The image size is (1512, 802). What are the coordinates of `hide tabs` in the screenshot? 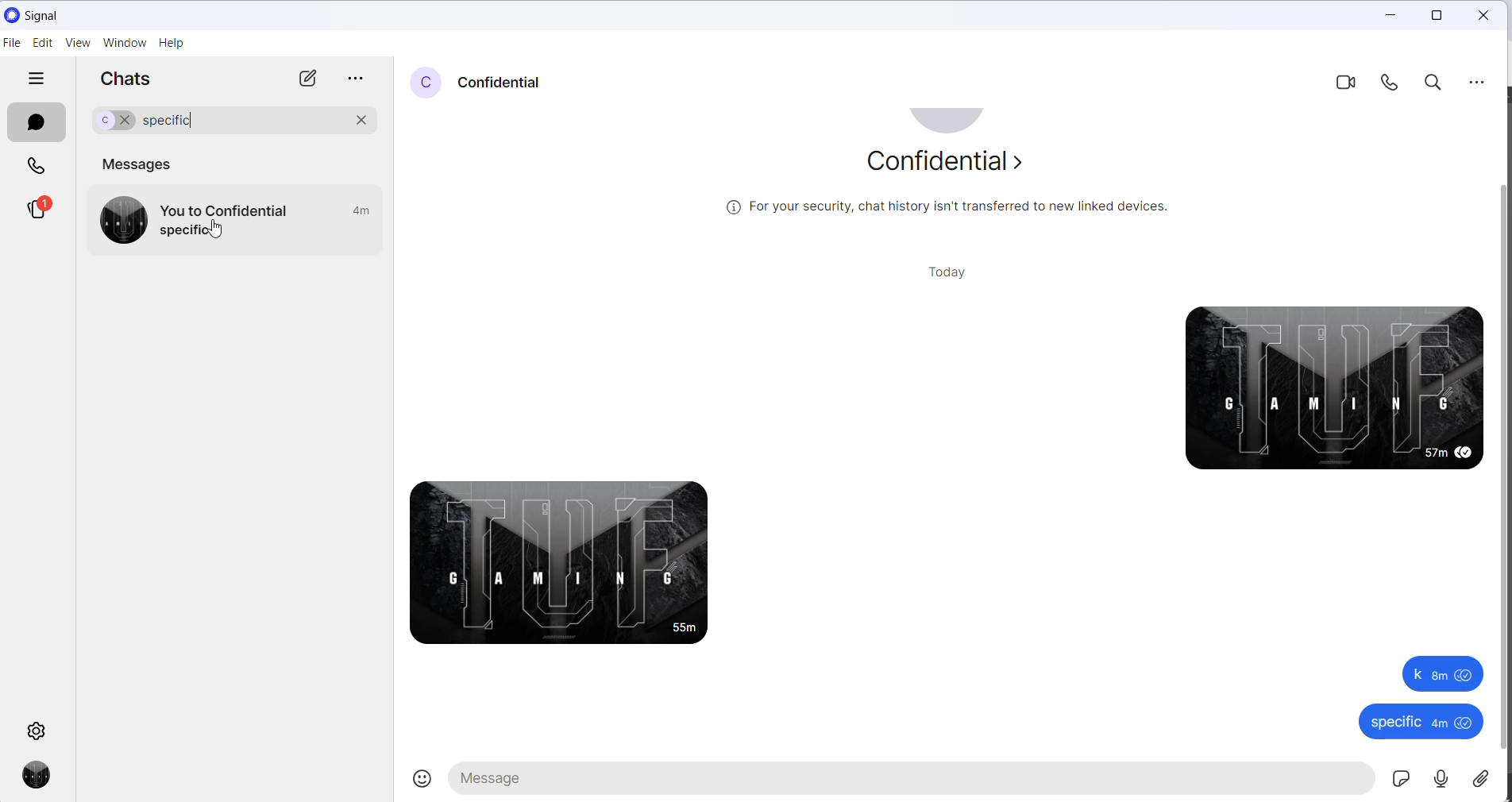 It's located at (36, 77).